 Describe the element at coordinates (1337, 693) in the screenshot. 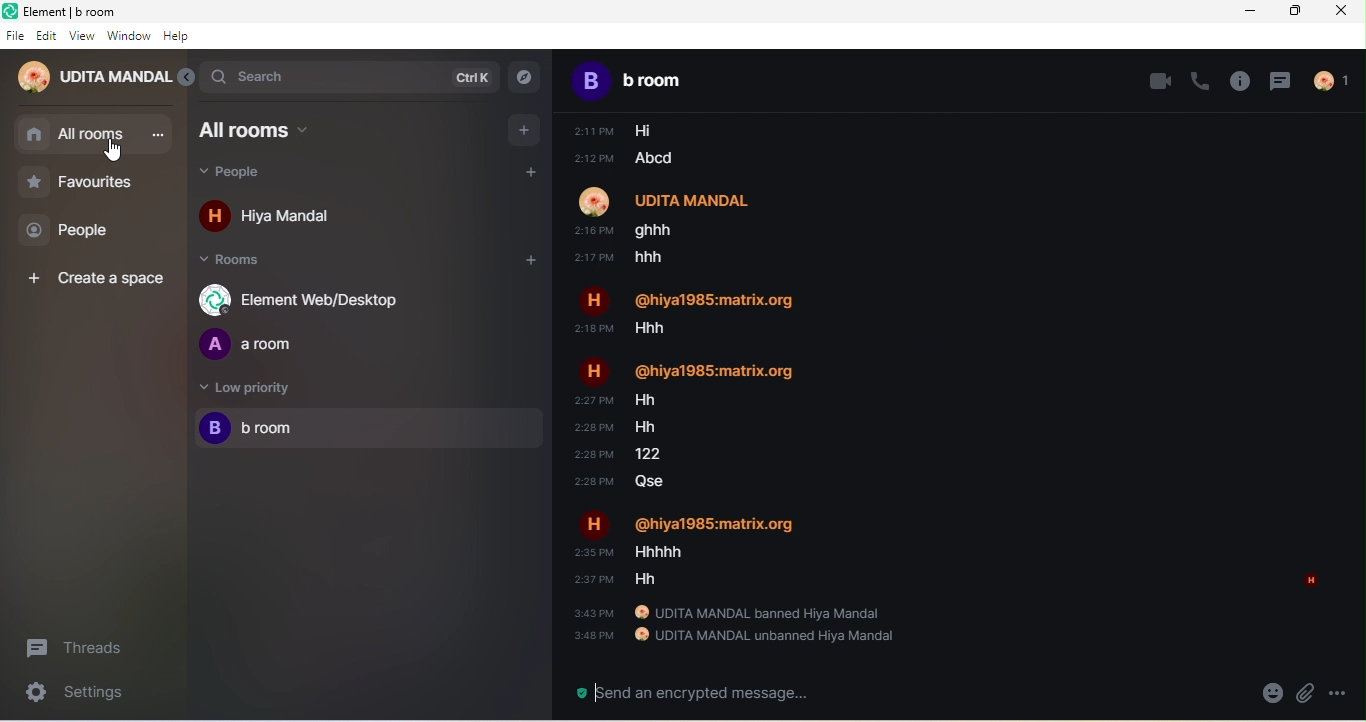

I see `more options` at that location.